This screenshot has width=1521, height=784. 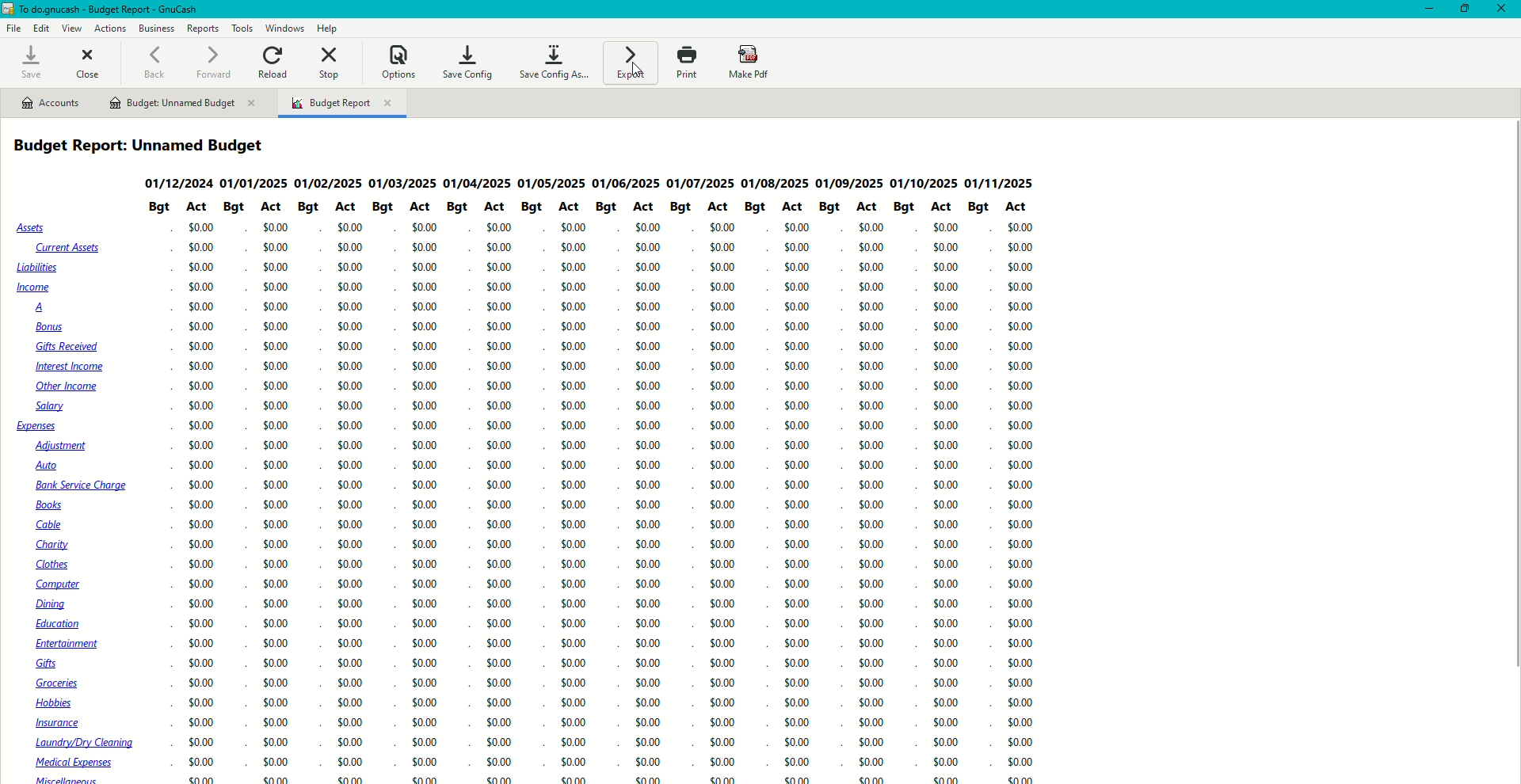 What do you see at coordinates (574, 345) in the screenshot?
I see `$0.00` at bounding box center [574, 345].